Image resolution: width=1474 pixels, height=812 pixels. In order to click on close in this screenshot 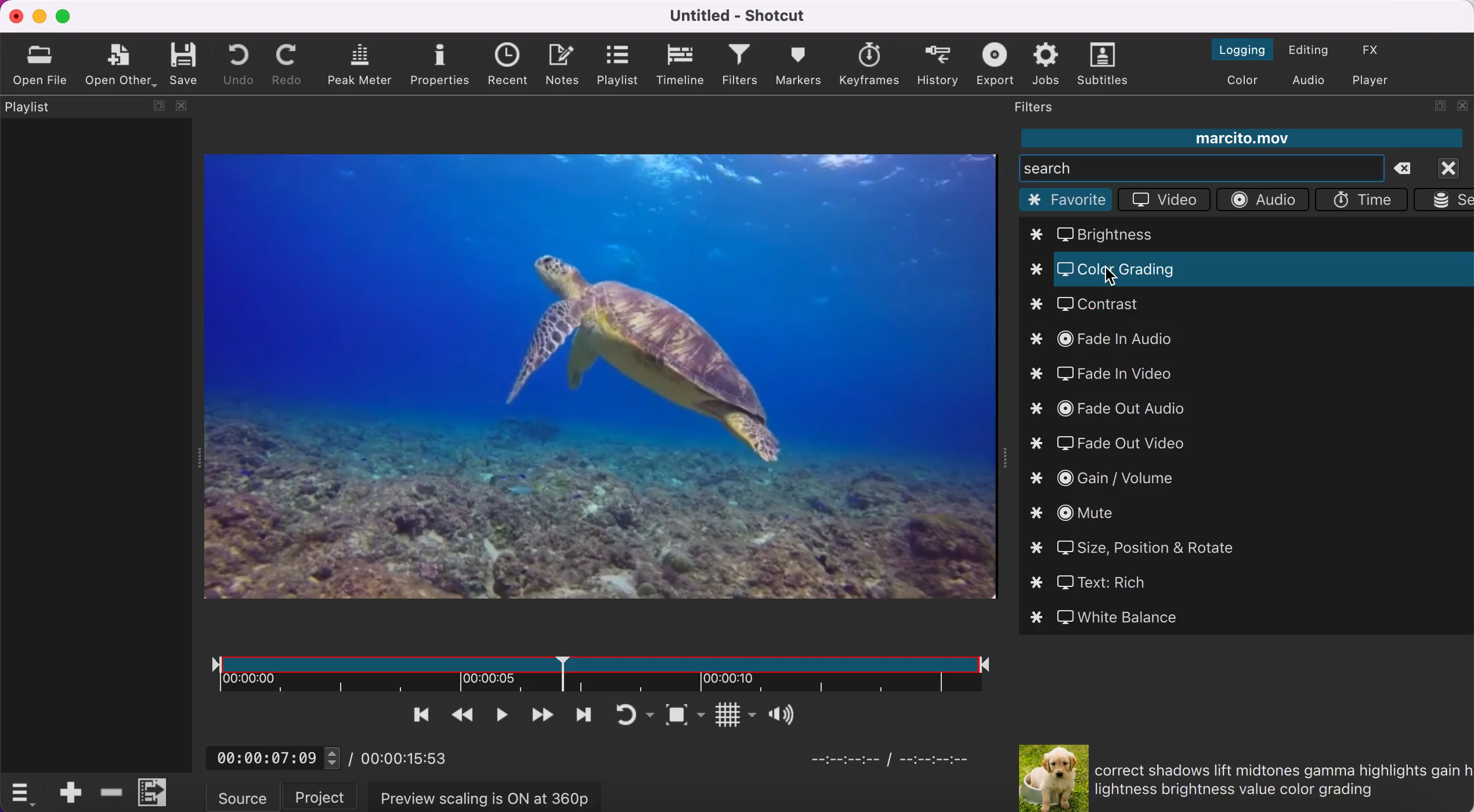, I will do `click(15, 16)`.